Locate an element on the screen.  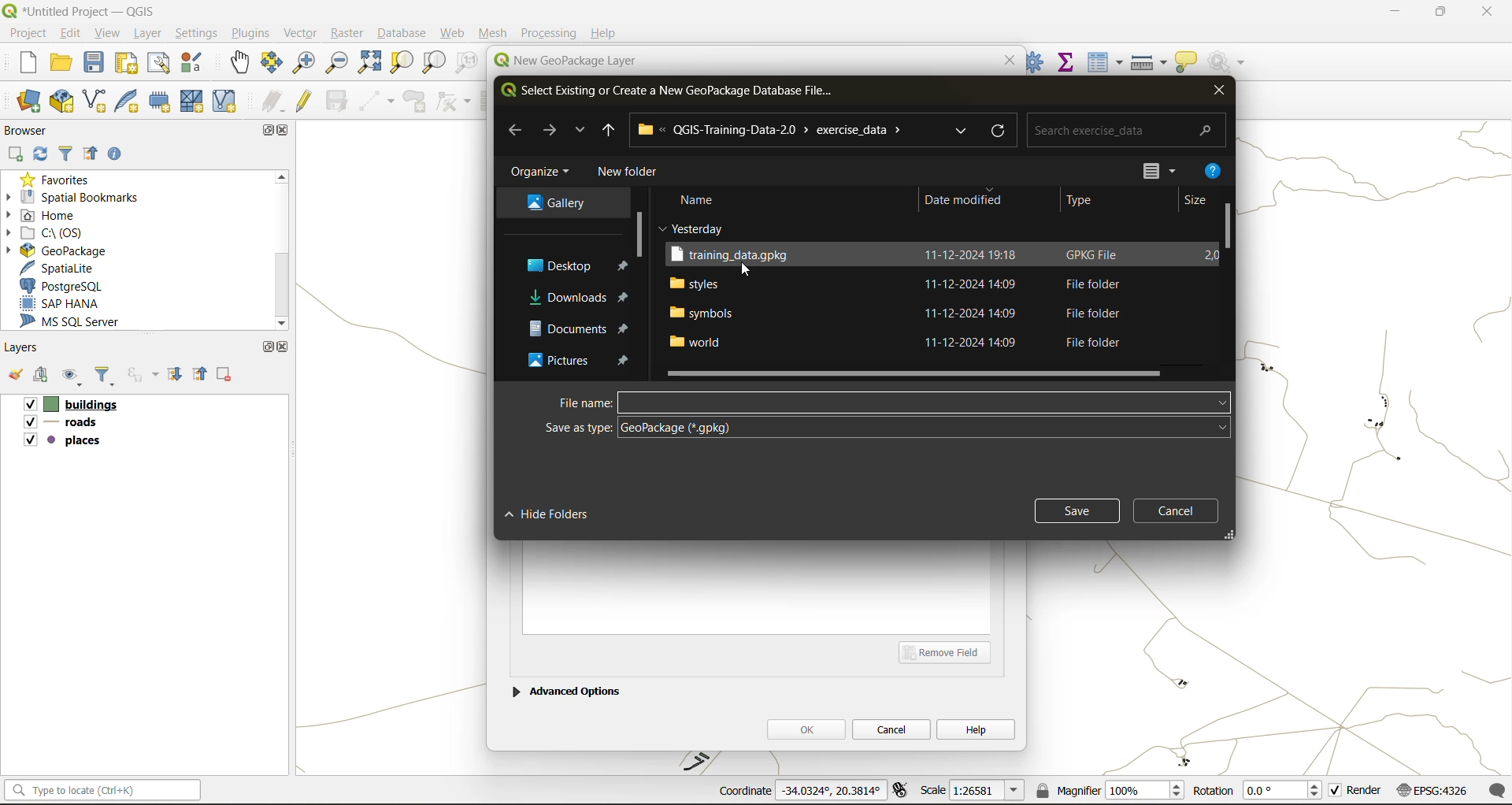
crs (EPSG:4326) is located at coordinates (1436, 791).